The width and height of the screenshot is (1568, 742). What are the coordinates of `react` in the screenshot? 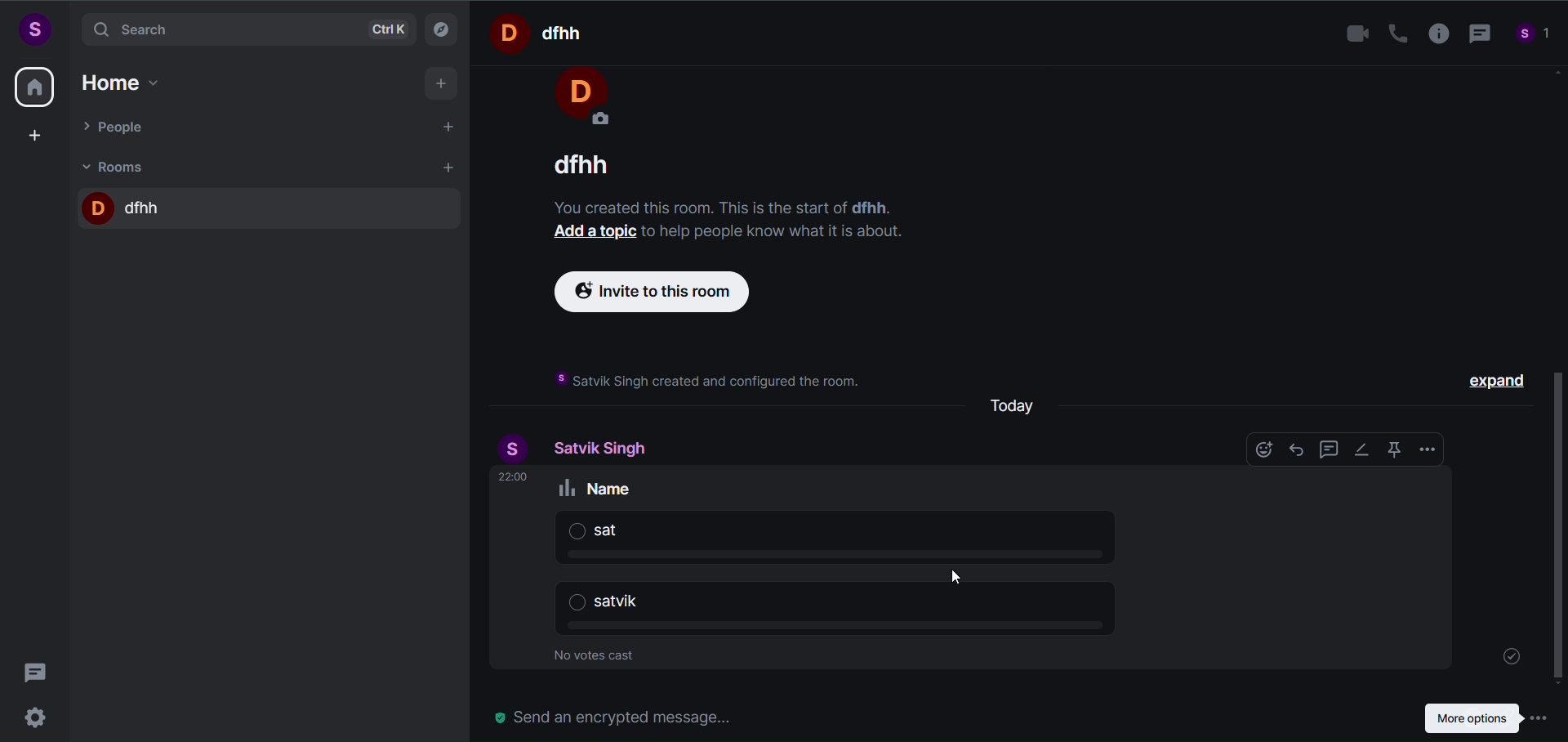 It's located at (1258, 450).